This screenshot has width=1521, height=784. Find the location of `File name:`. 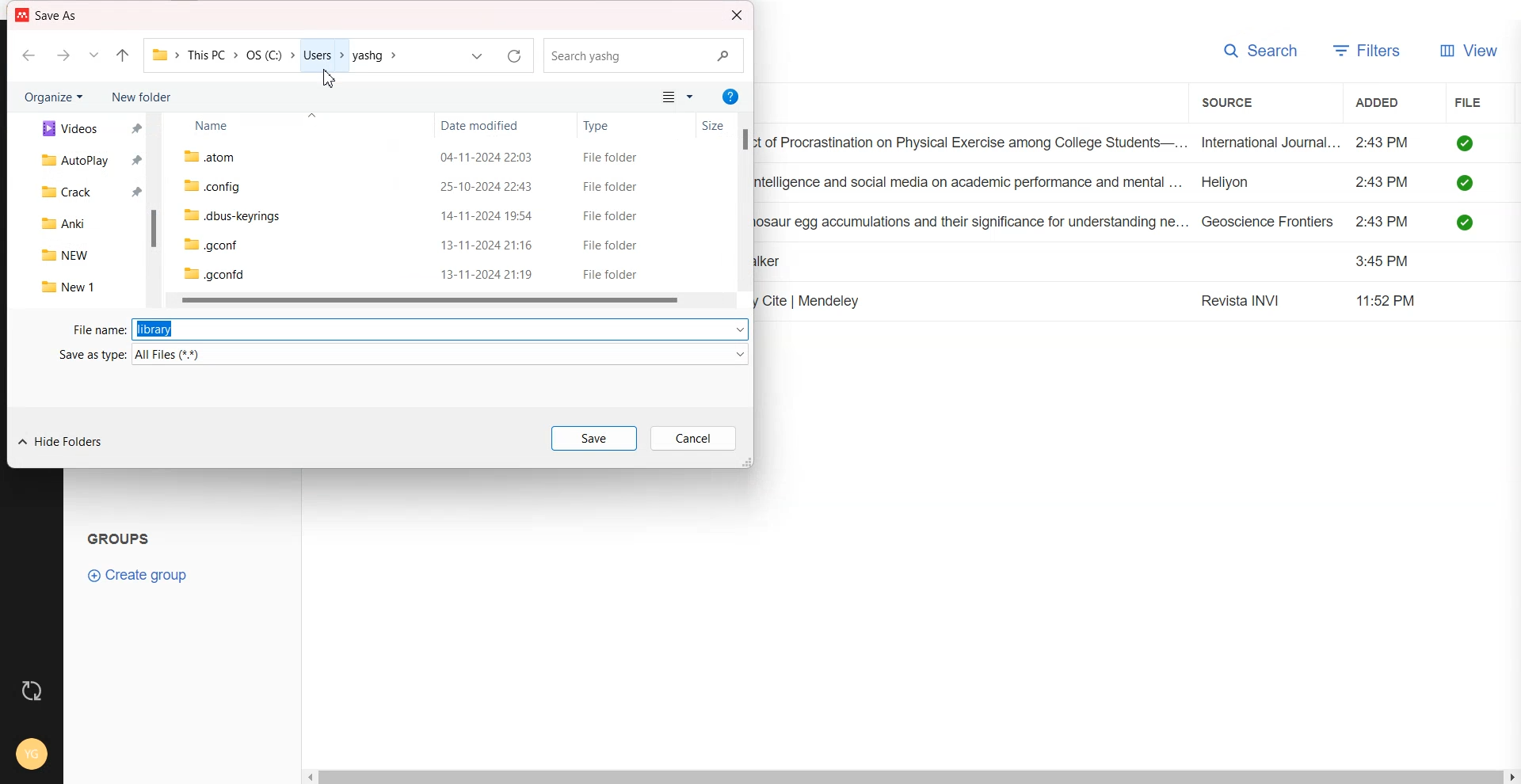

File name: is located at coordinates (97, 329).